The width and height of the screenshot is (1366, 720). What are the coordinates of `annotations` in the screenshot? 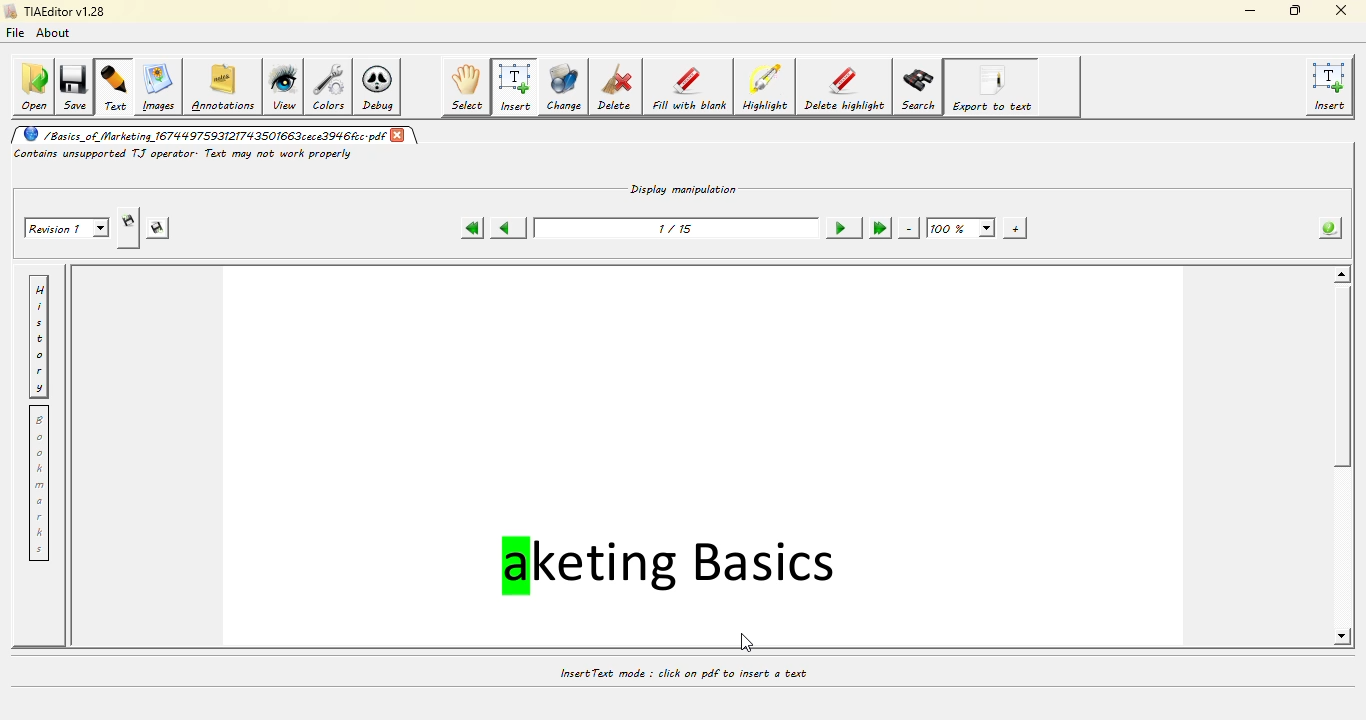 It's located at (225, 86).